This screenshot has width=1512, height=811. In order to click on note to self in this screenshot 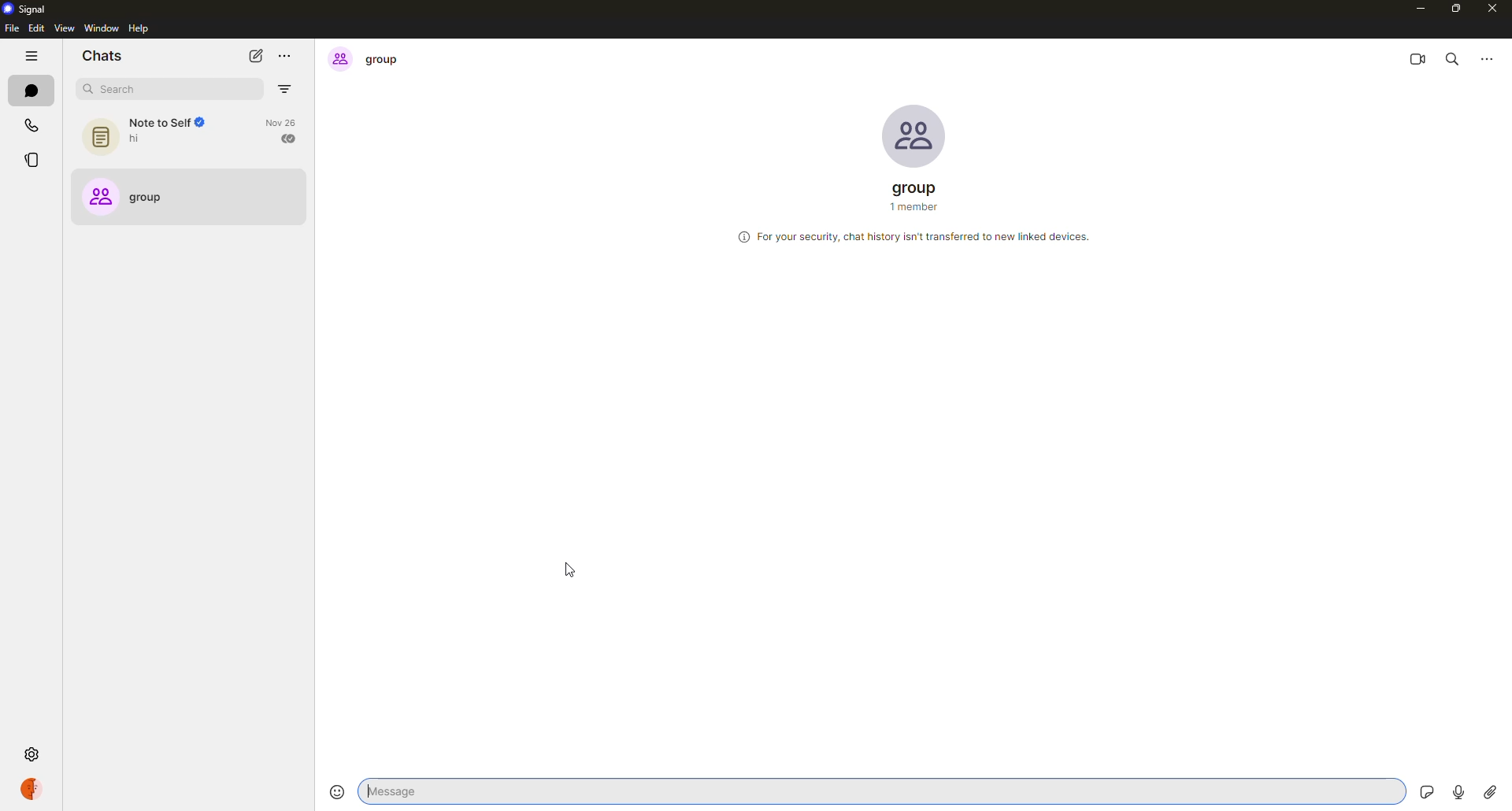, I will do `click(191, 135)`.